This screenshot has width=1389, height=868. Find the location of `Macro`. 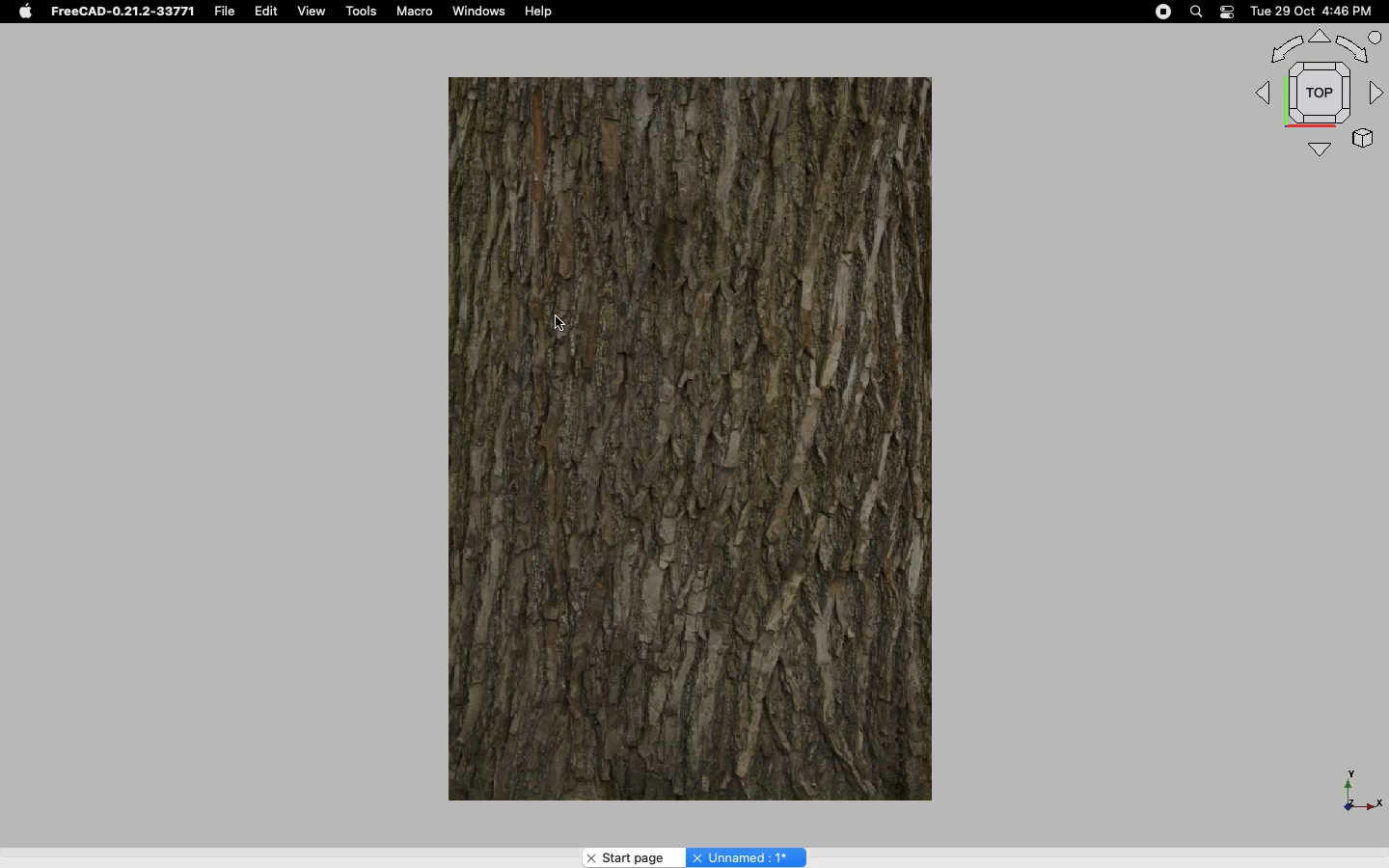

Macro is located at coordinates (419, 14).